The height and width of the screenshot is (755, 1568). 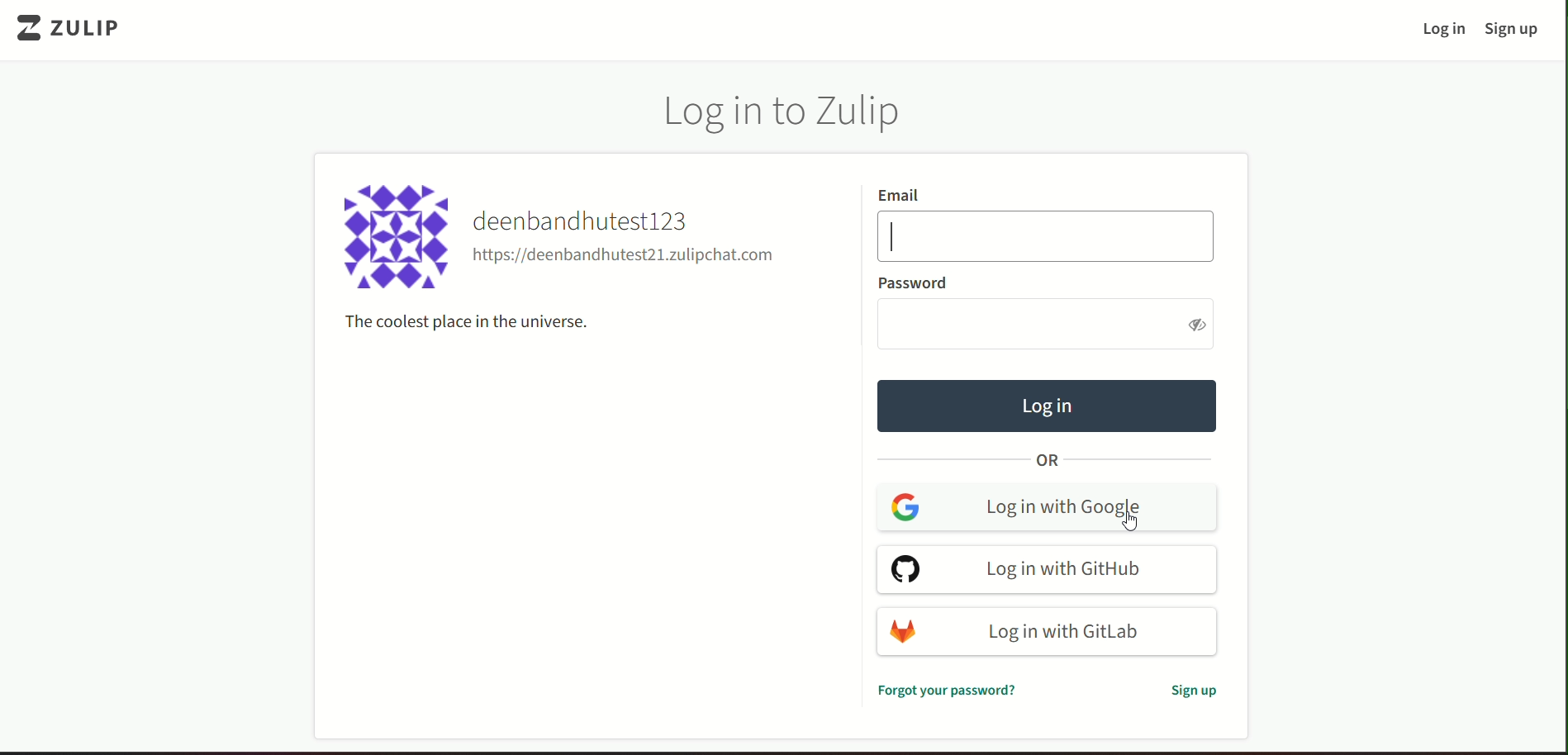 What do you see at coordinates (1516, 29) in the screenshot?
I see `sign up` at bounding box center [1516, 29].